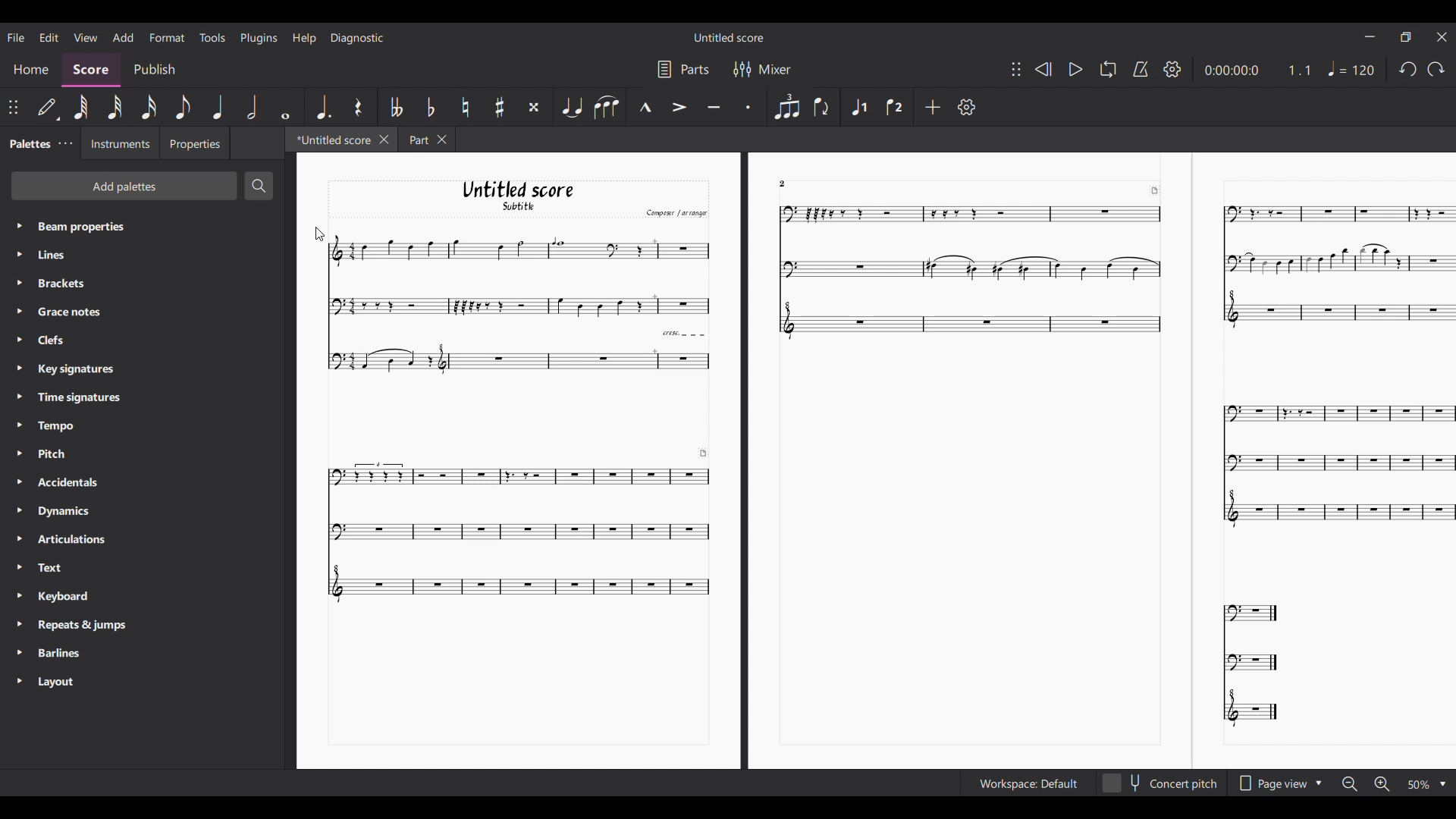  I want to click on Zoom options, so click(1418, 785).